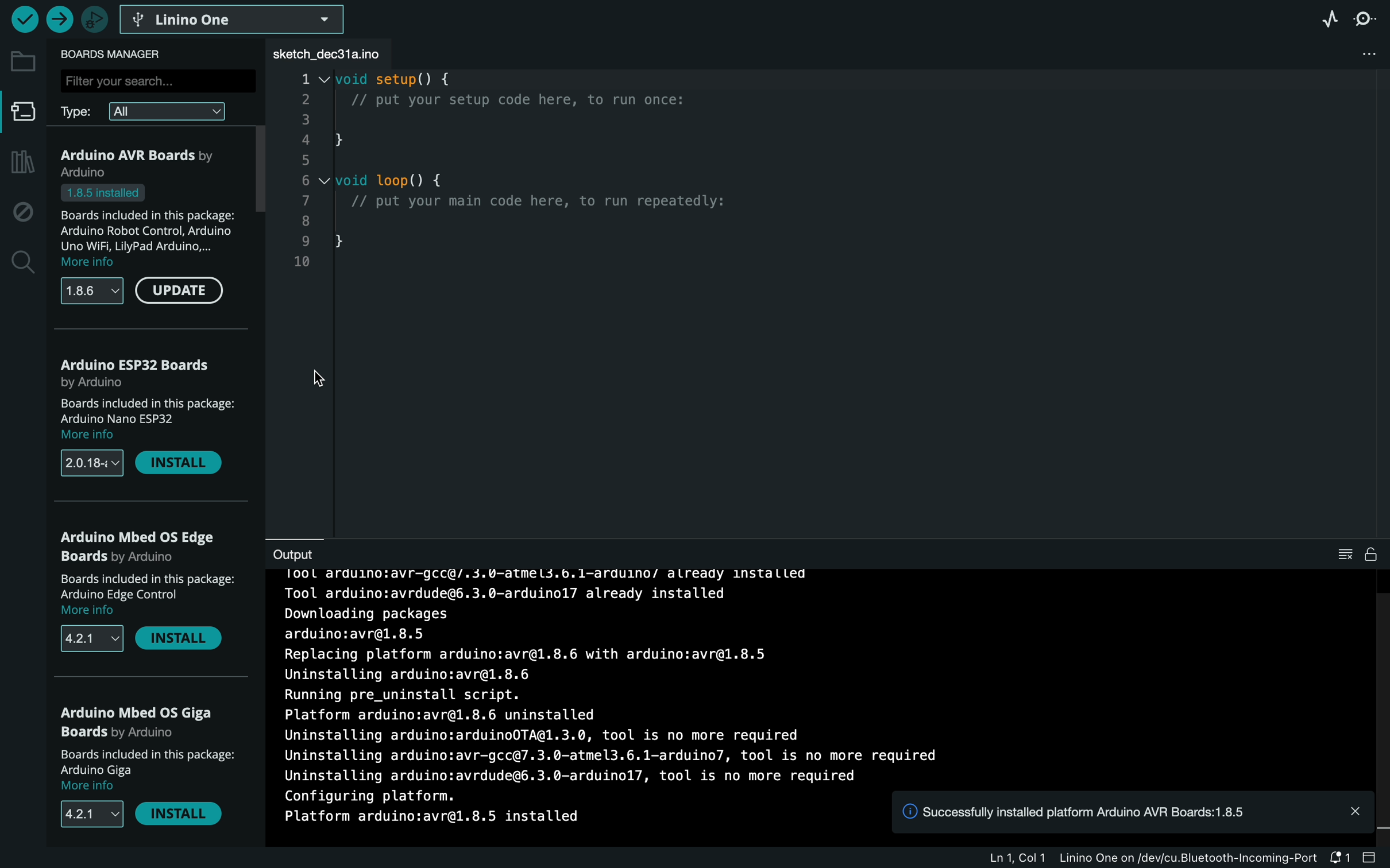 The image size is (1390, 868). What do you see at coordinates (1132, 812) in the screenshot?
I see `notification` at bounding box center [1132, 812].